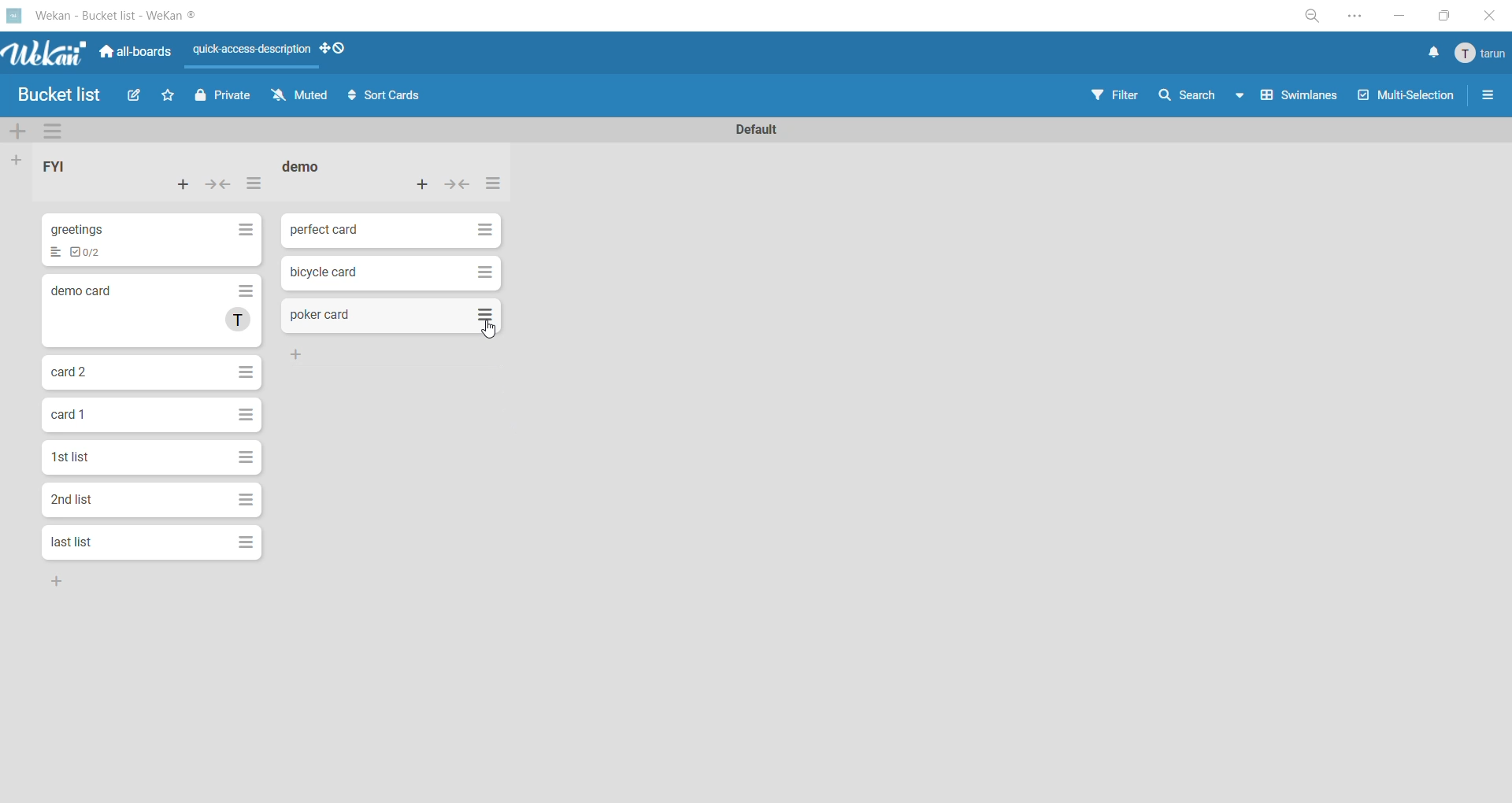 Image resolution: width=1512 pixels, height=803 pixels. What do you see at coordinates (1303, 98) in the screenshot?
I see `swimlanes` at bounding box center [1303, 98].